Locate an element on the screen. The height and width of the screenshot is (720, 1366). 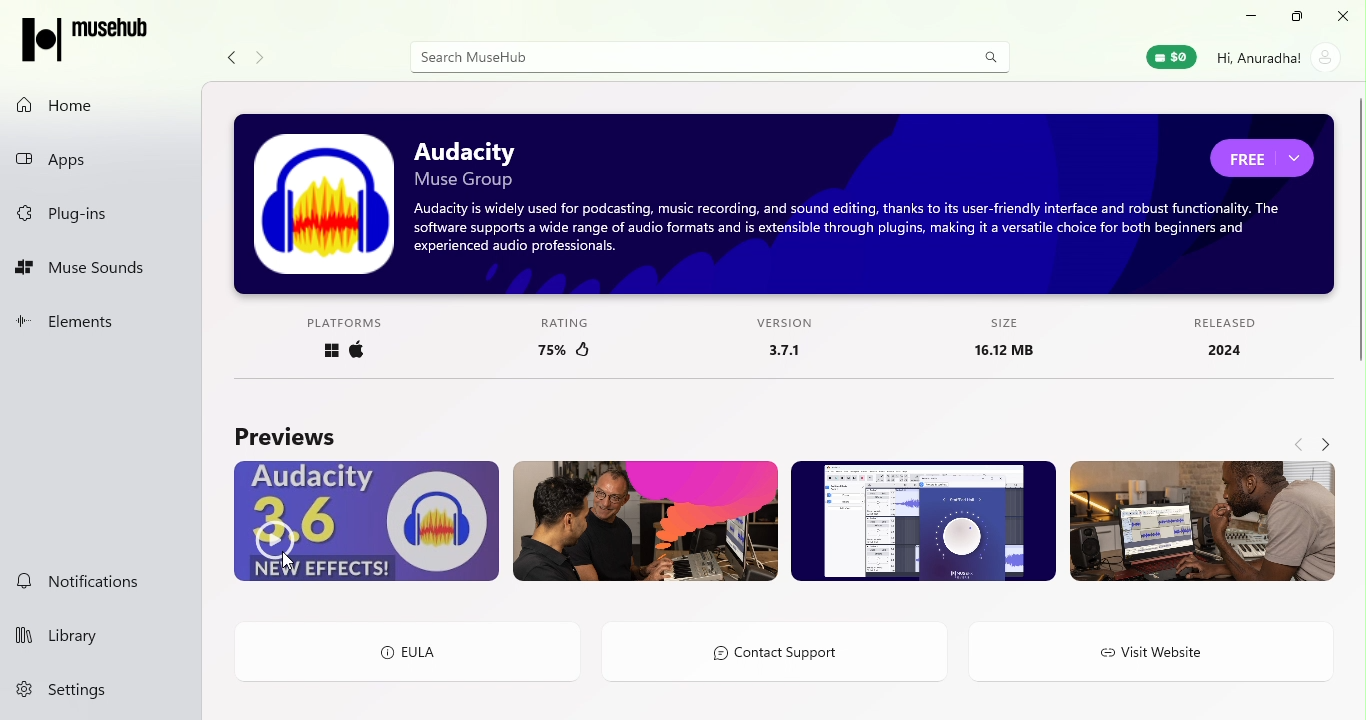
Elements is located at coordinates (101, 324).